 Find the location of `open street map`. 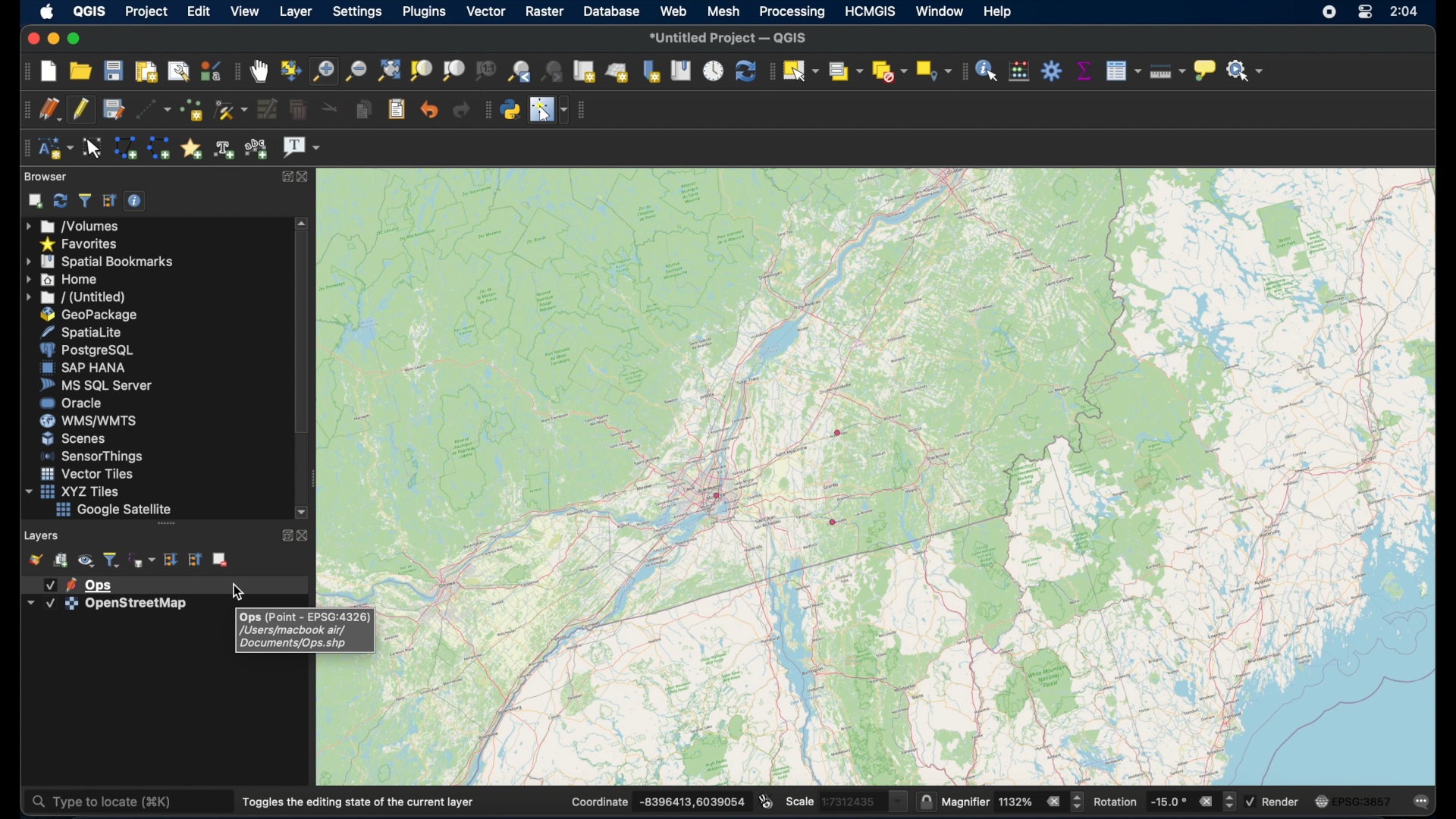

open street map is located at coordinates (836, 478).